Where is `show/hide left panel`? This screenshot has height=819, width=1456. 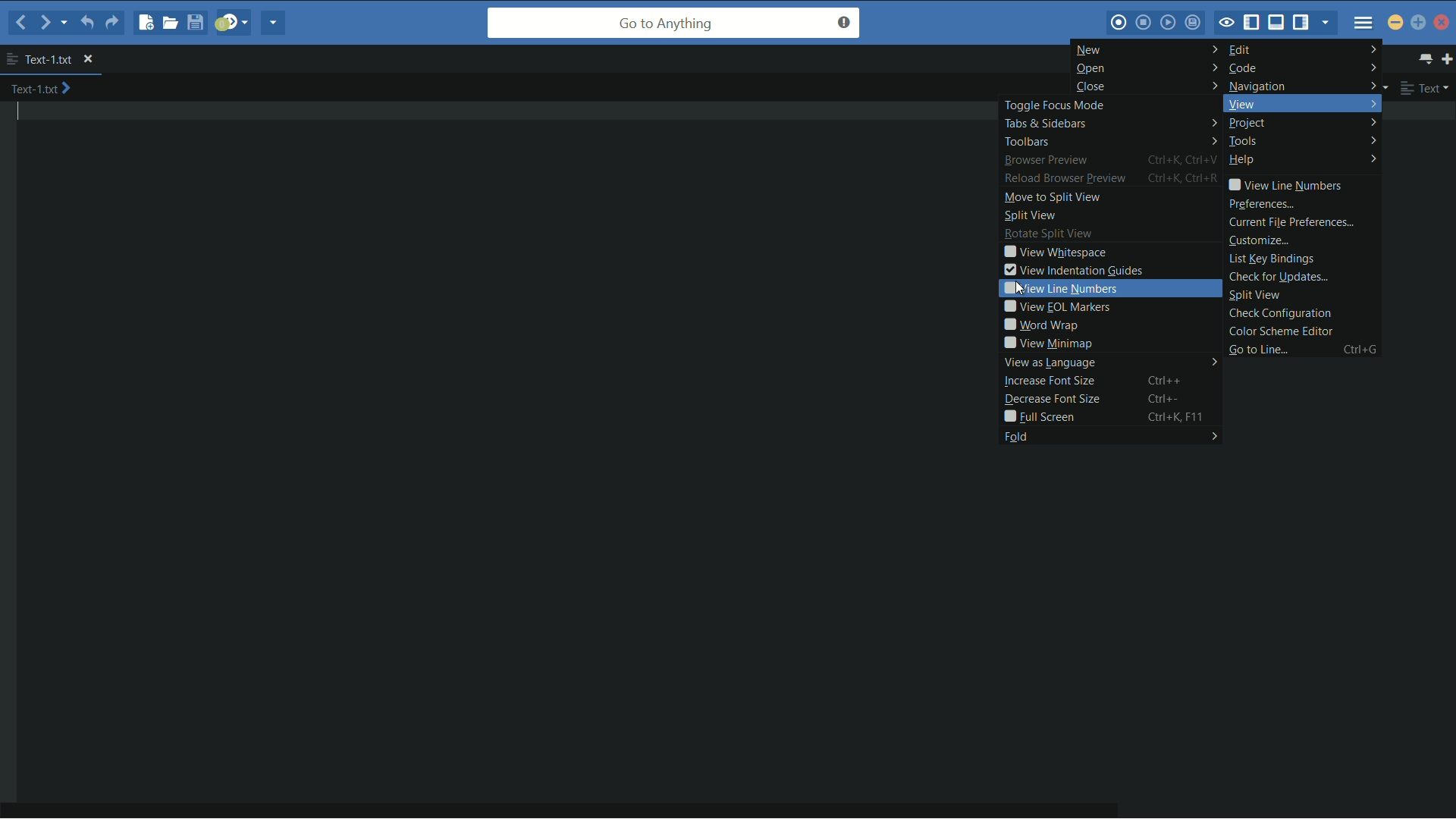 show/hide left panel is located at coordinates (1252, 22).